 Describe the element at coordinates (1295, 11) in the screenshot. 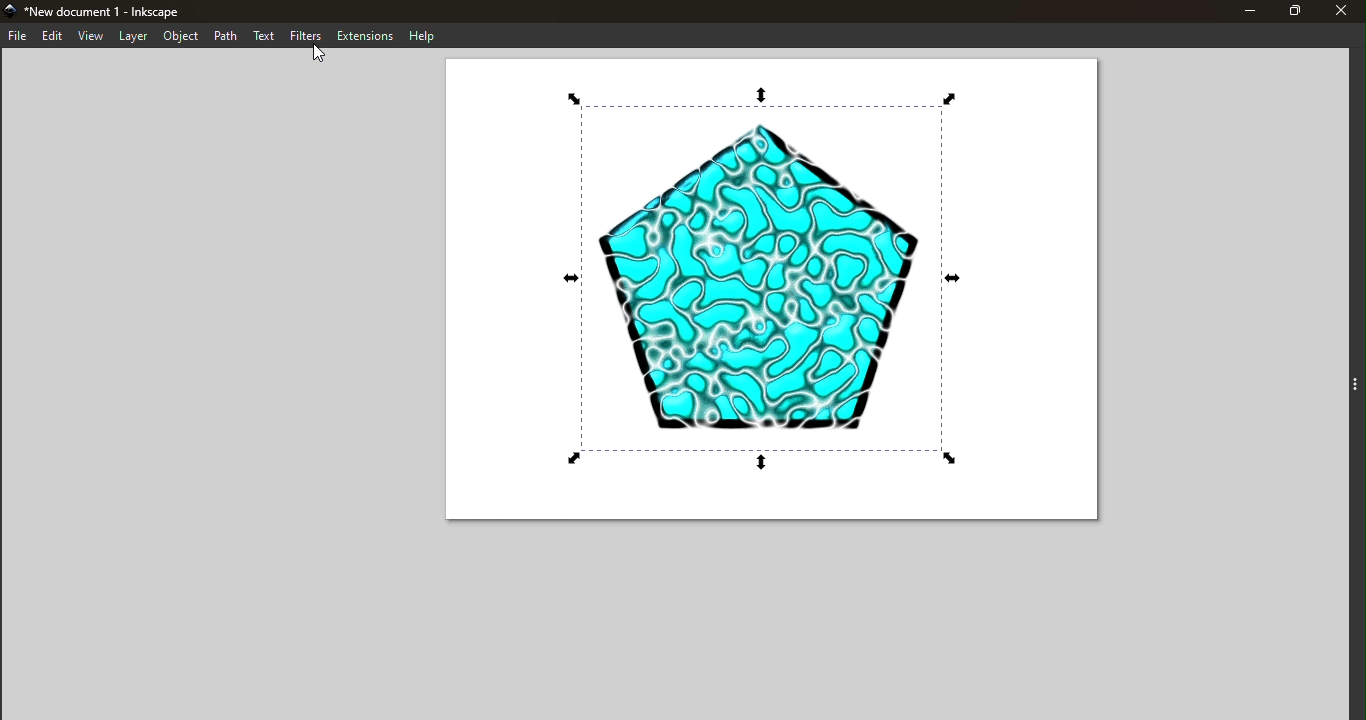

I see `Maximize` at that location.